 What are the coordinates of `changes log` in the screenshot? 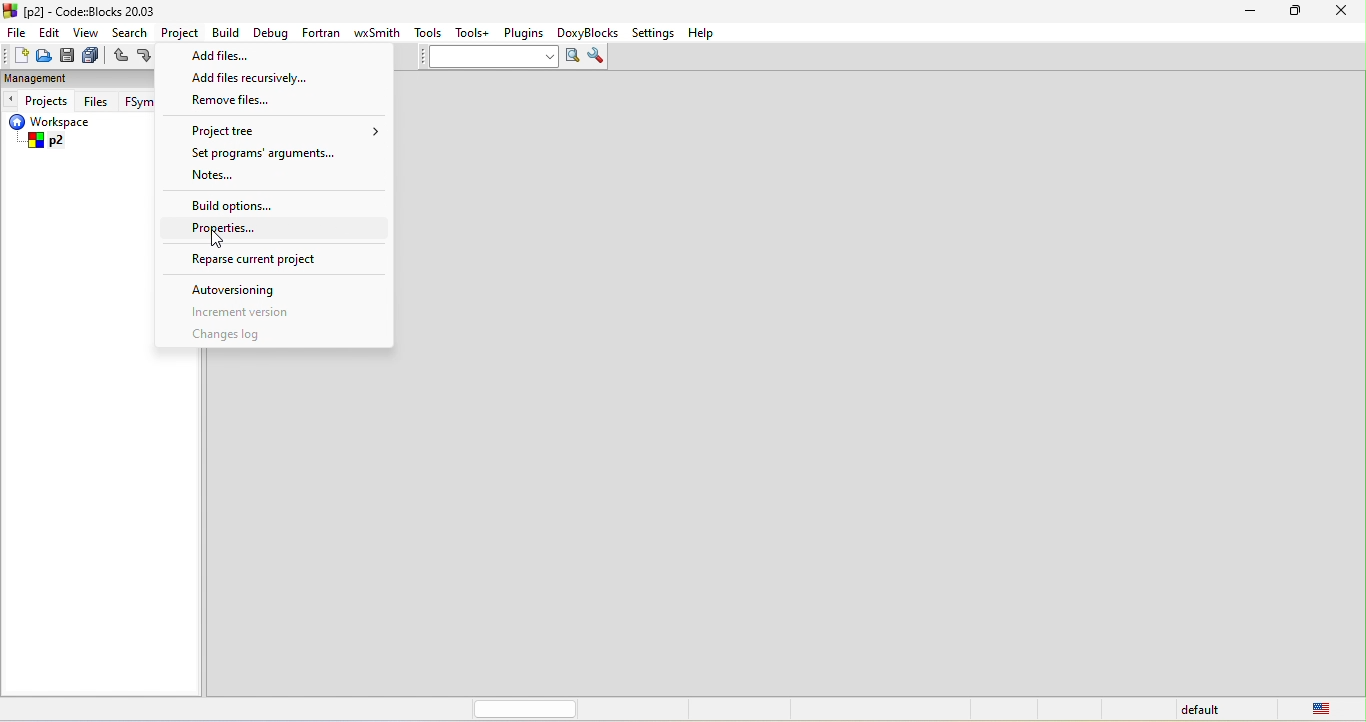 It's located at (248, 336).